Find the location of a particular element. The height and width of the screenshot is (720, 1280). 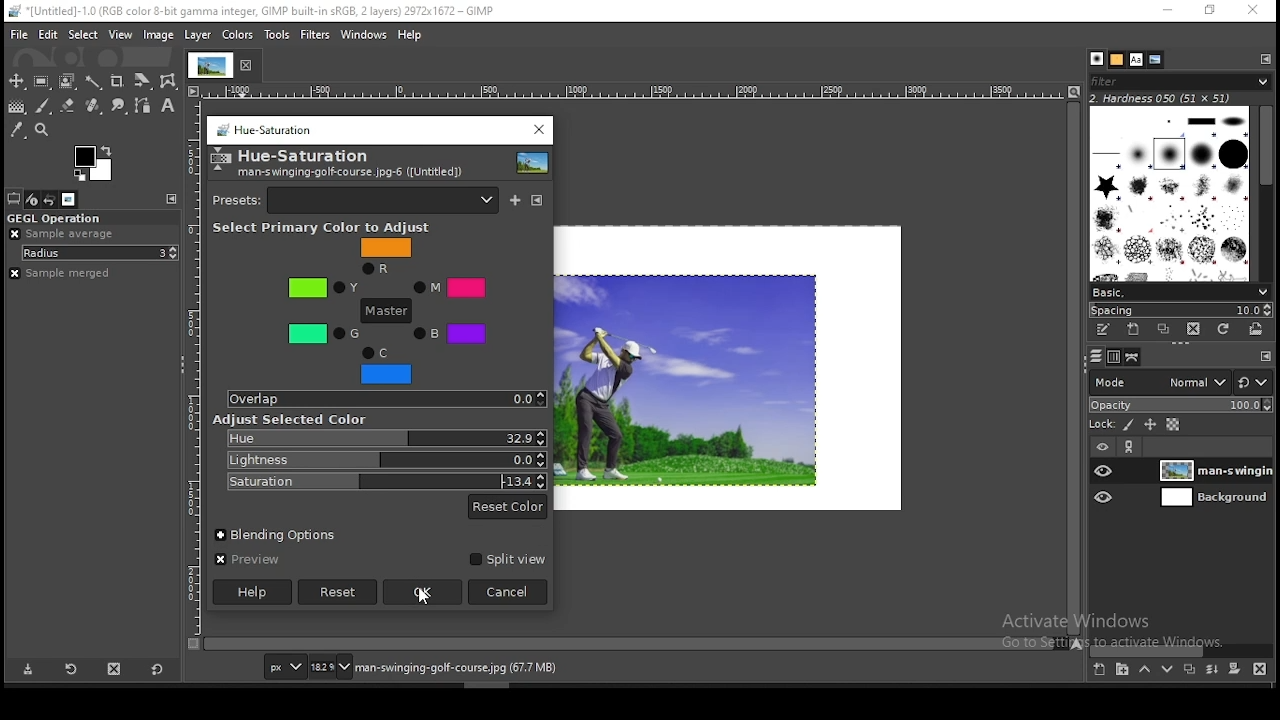

lock pixels is located at coordinates (1128, 425).